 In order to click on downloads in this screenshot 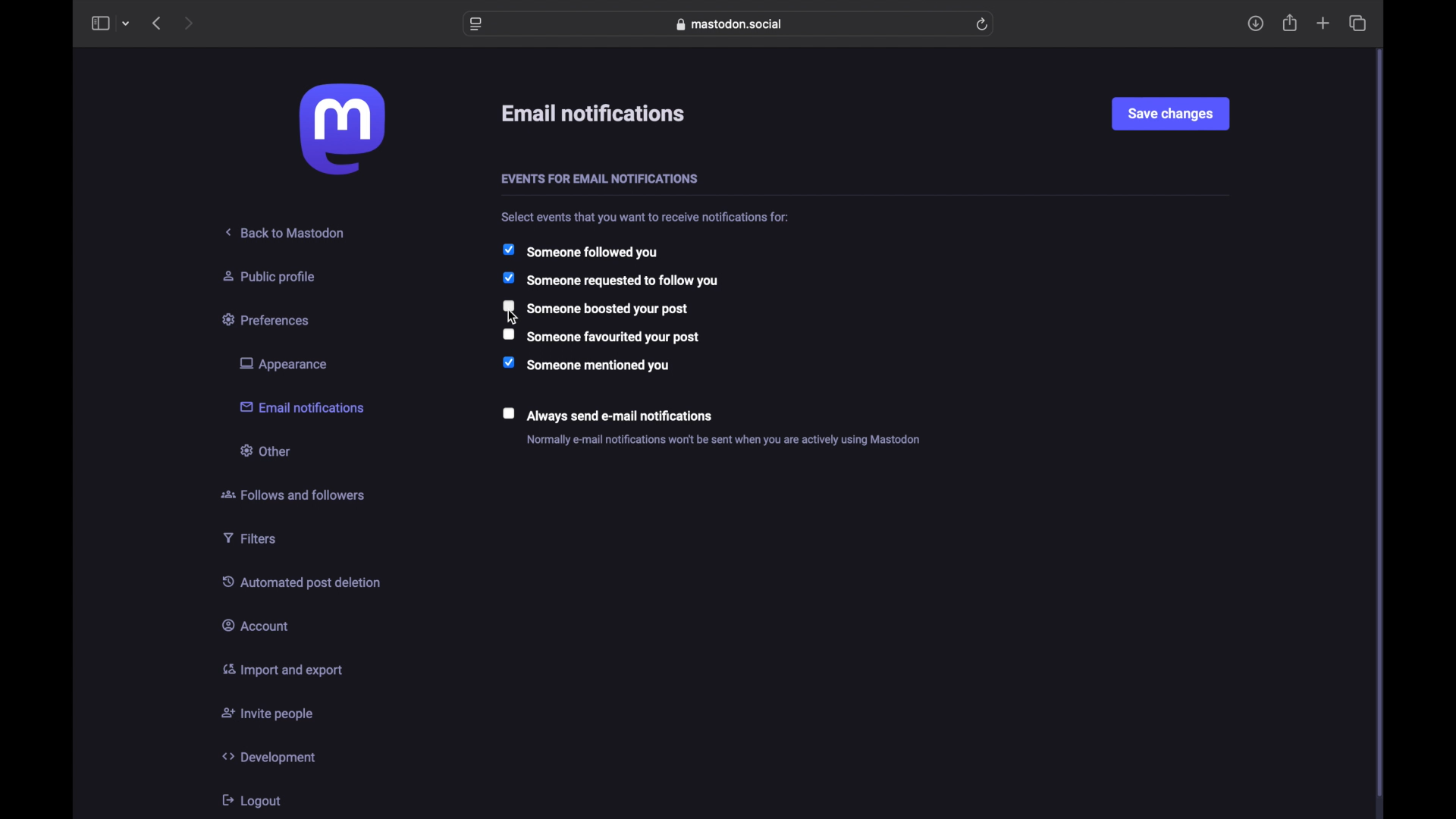, I will do `click(1255, 24)`.